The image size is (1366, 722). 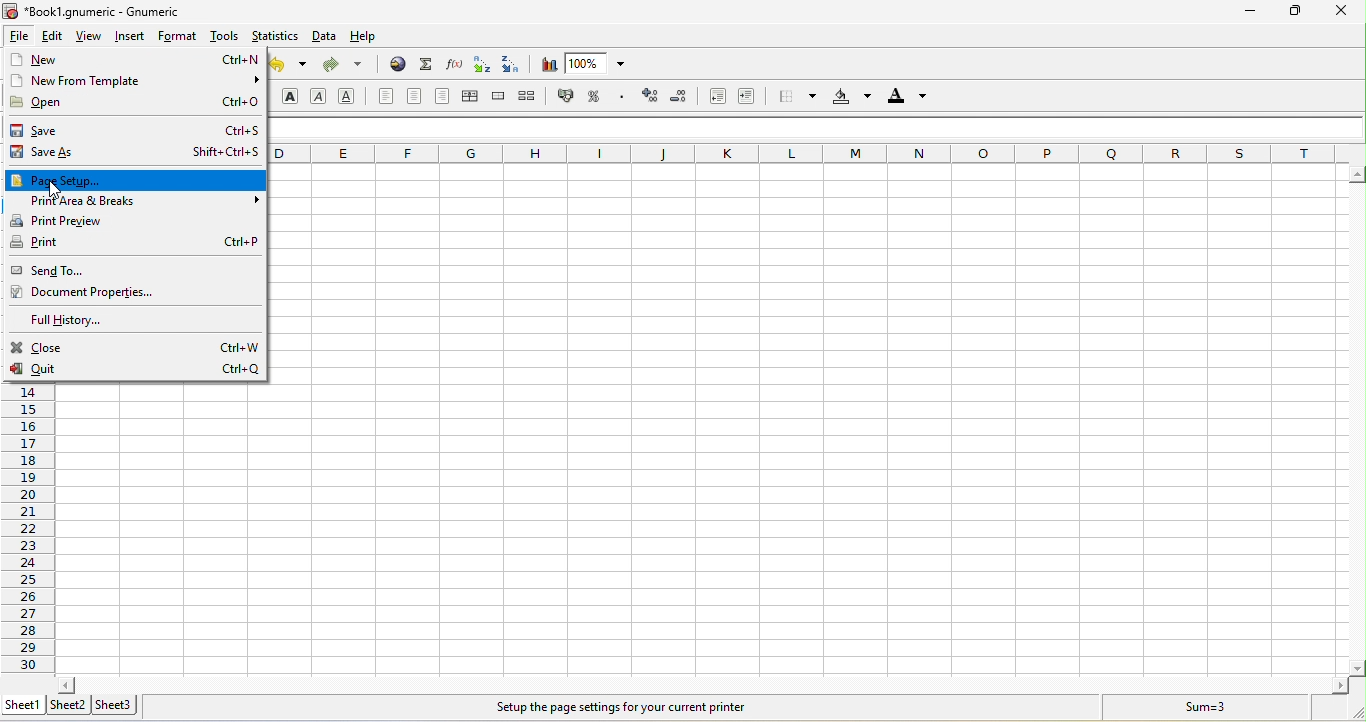 I want to click on horizontal scroll bar, so click(x=700, y=684).